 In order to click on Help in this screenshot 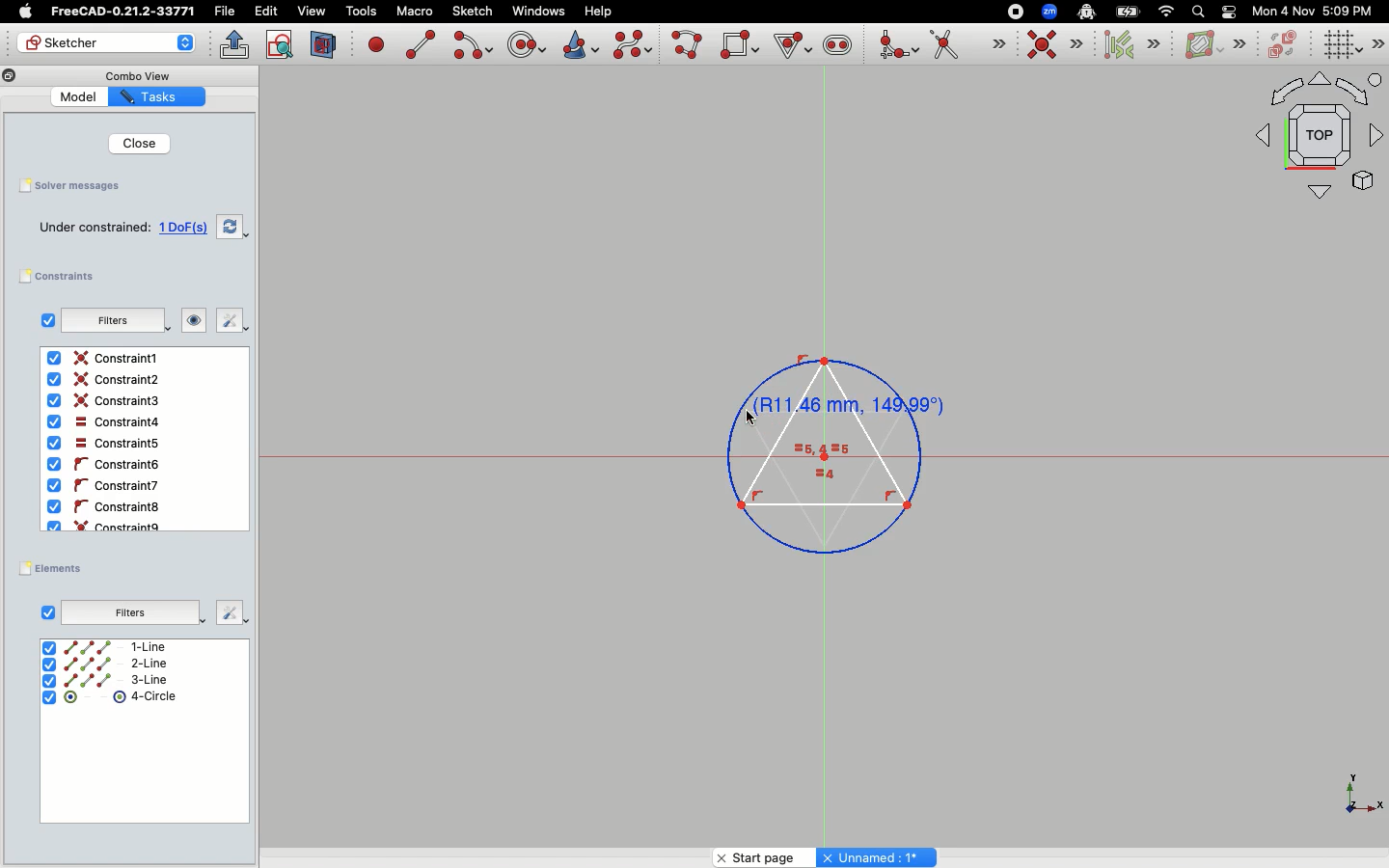, I will do `click(599, 10)`.